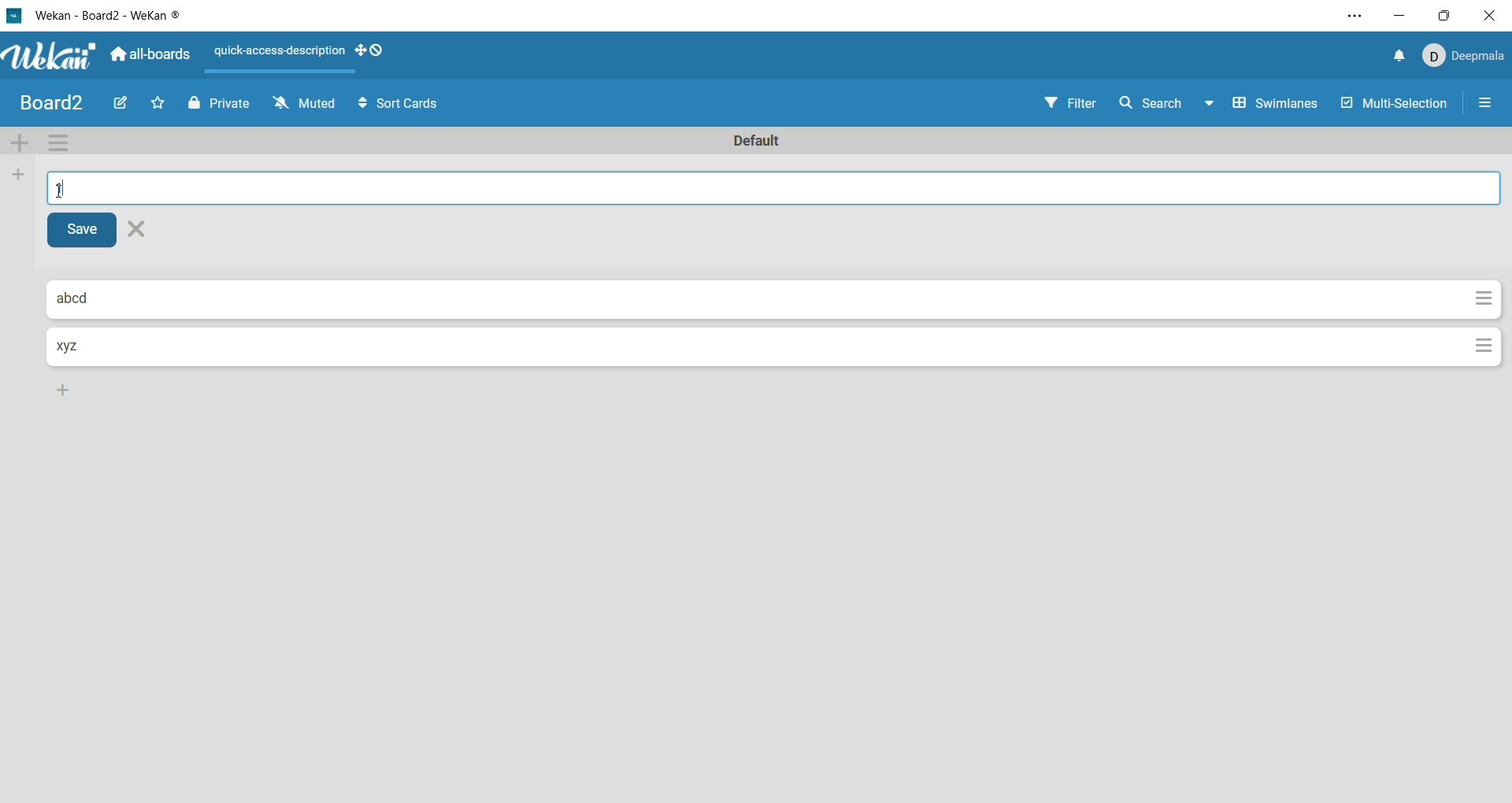 The width and height of the screenshot is (1512, 803). What do you see at coordinates (376, 52) in the screenshot?
I see `show-desktop-drag-handles` at bounding box center [376, 52].